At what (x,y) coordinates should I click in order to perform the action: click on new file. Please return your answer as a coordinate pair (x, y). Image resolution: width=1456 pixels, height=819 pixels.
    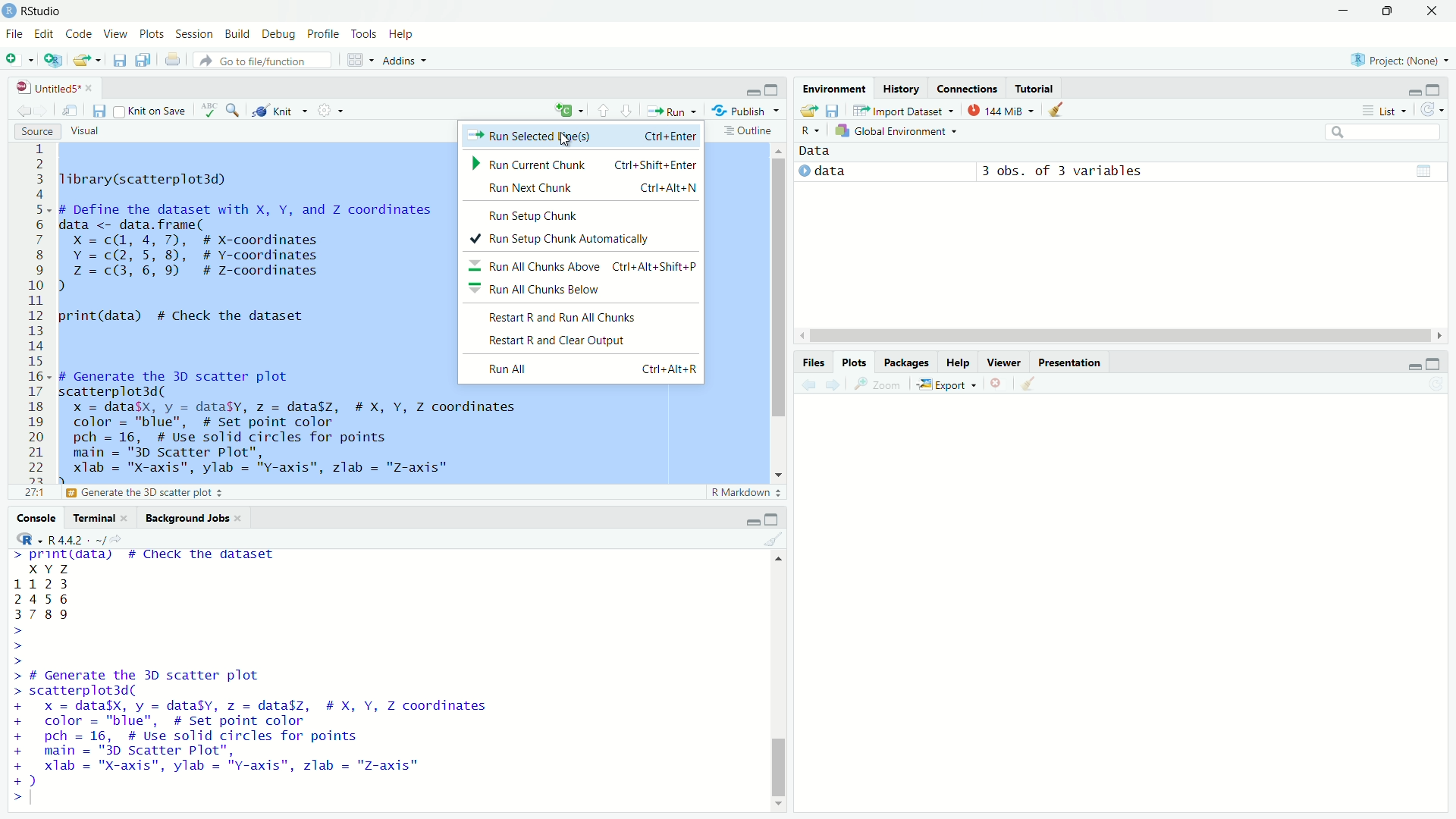
    Looking at the image, I should click on (17, 60).